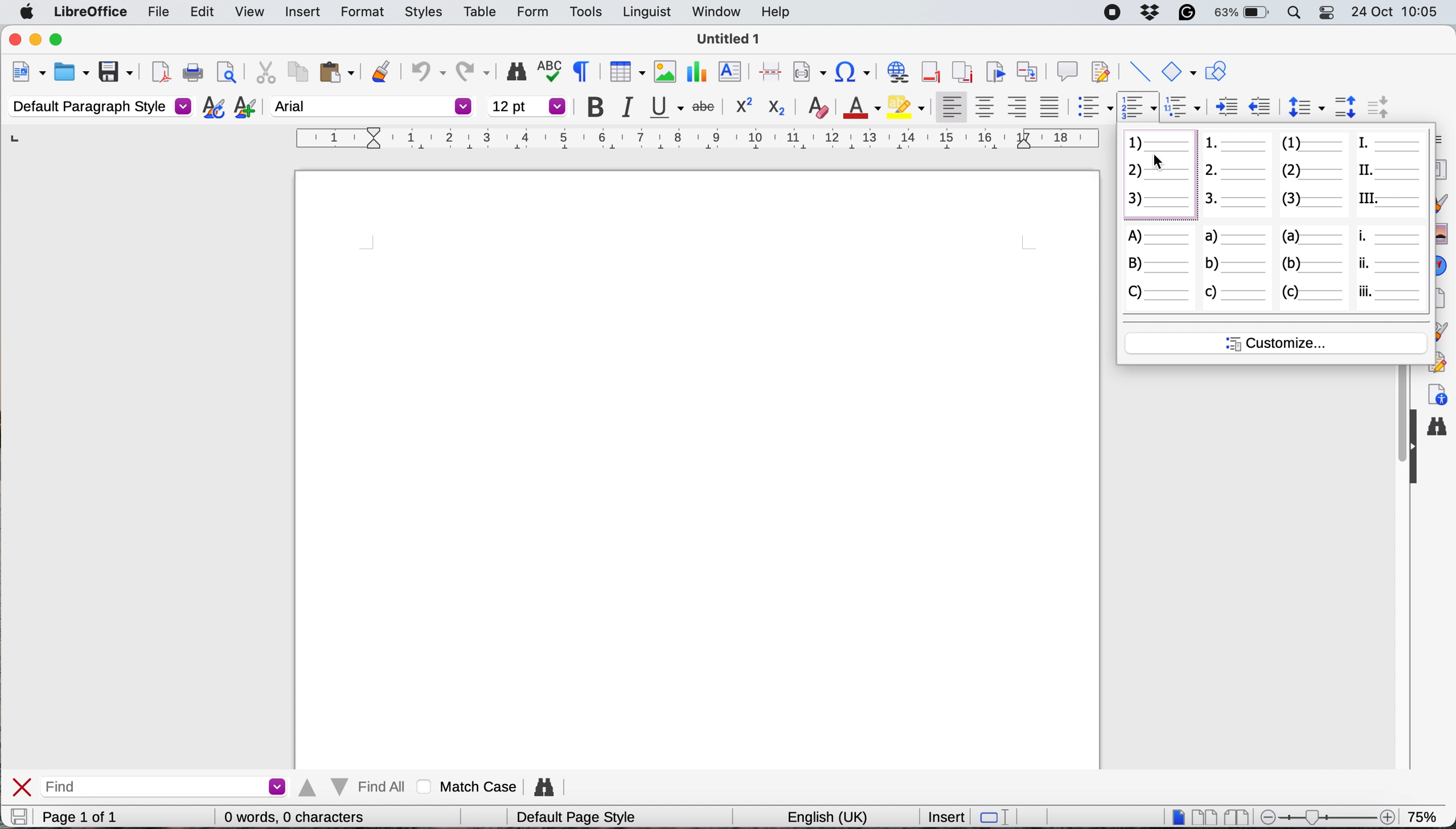 The width and height of the screenshot is (1456, 829). What do you see at coordinates (728, 39) in the screenshot?
I see `Untitled 1` at bounding box center [728, 39].